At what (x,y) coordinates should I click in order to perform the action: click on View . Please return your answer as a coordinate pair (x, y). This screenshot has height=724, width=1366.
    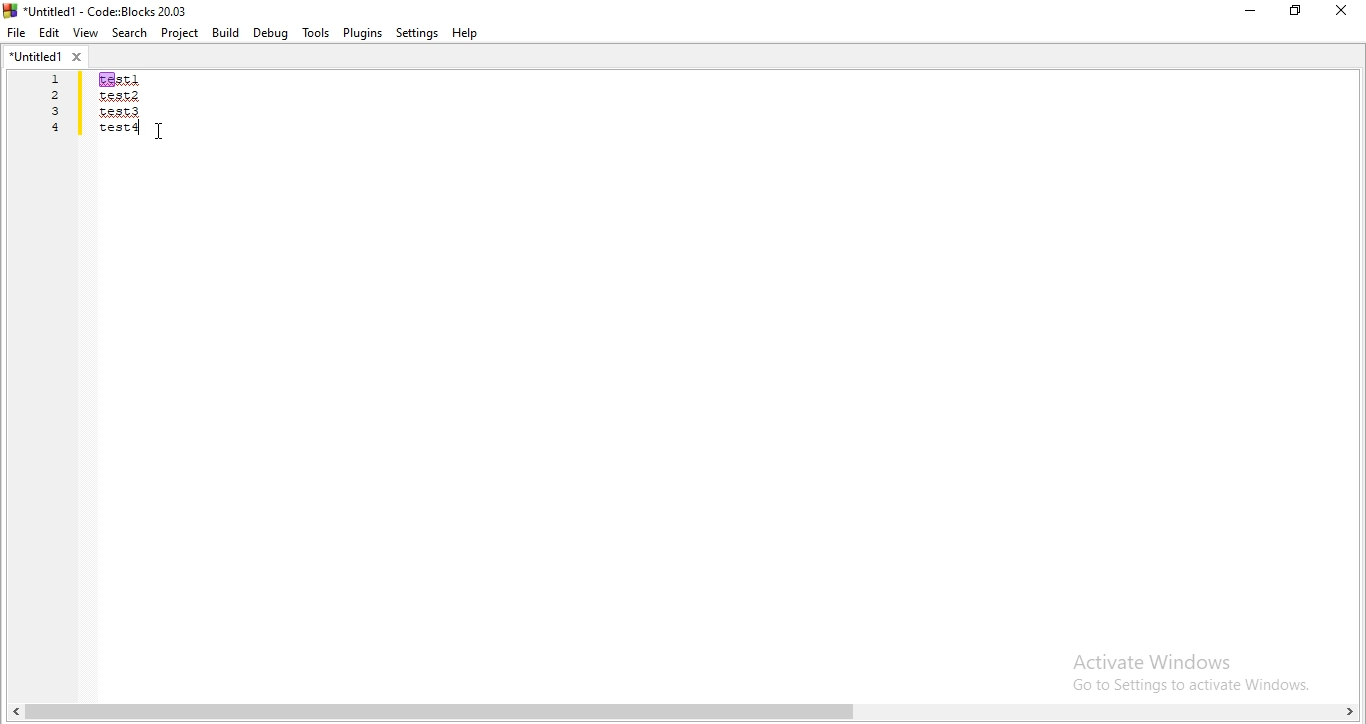
    Looking at the image, I should click on (85, 30).